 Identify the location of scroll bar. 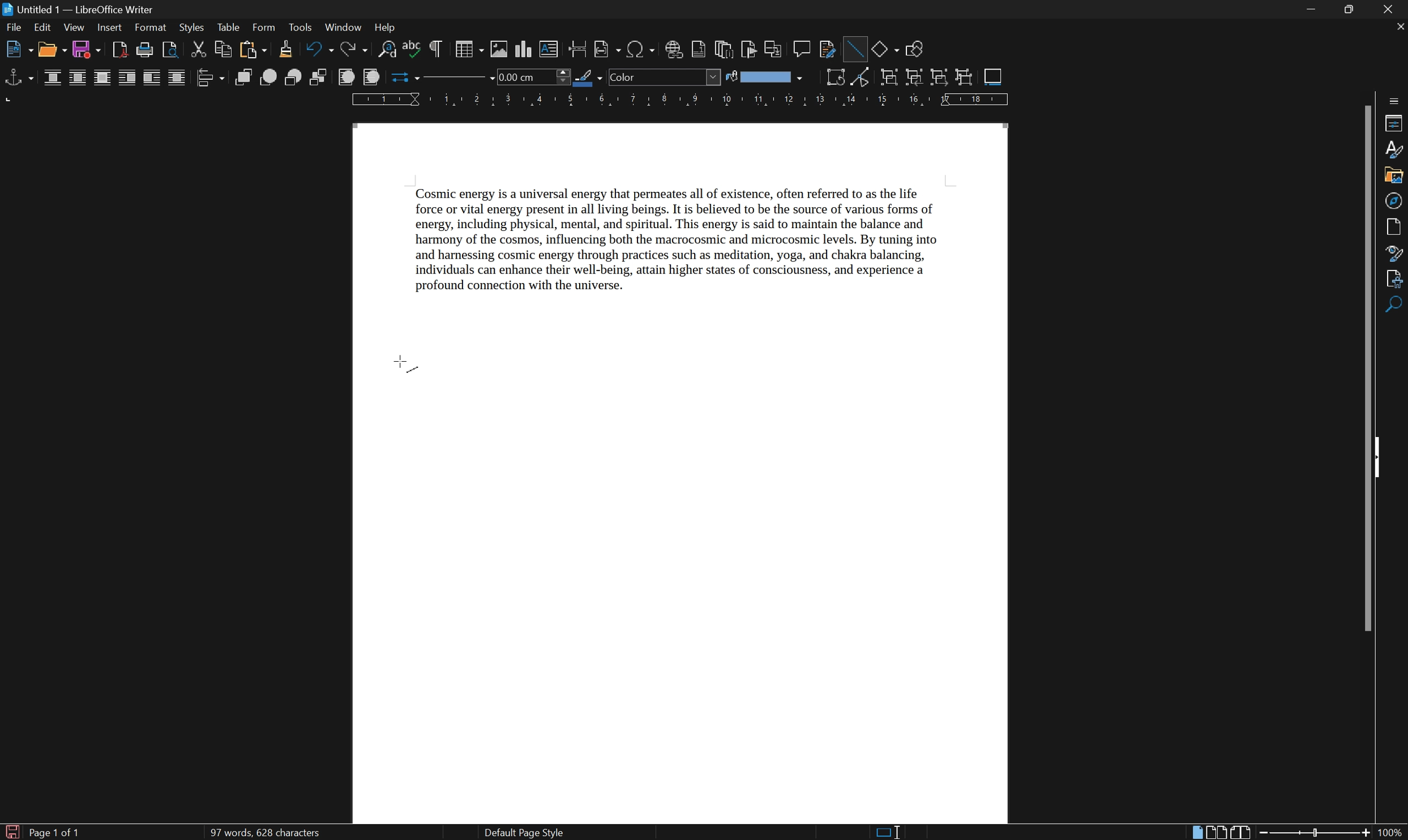
(1370, 366).